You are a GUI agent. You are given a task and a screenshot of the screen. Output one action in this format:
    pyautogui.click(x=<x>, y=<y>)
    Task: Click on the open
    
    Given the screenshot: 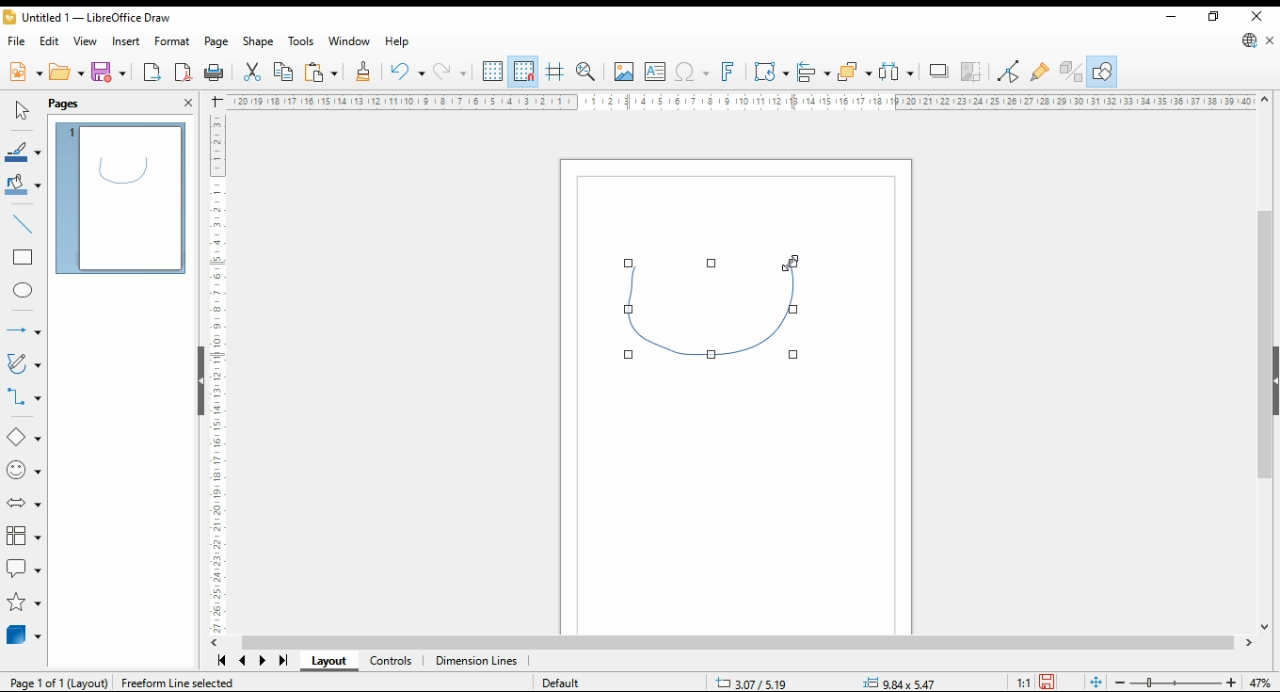 What is the action you would take?
    pyautogui.click(x=66, y=71)
    